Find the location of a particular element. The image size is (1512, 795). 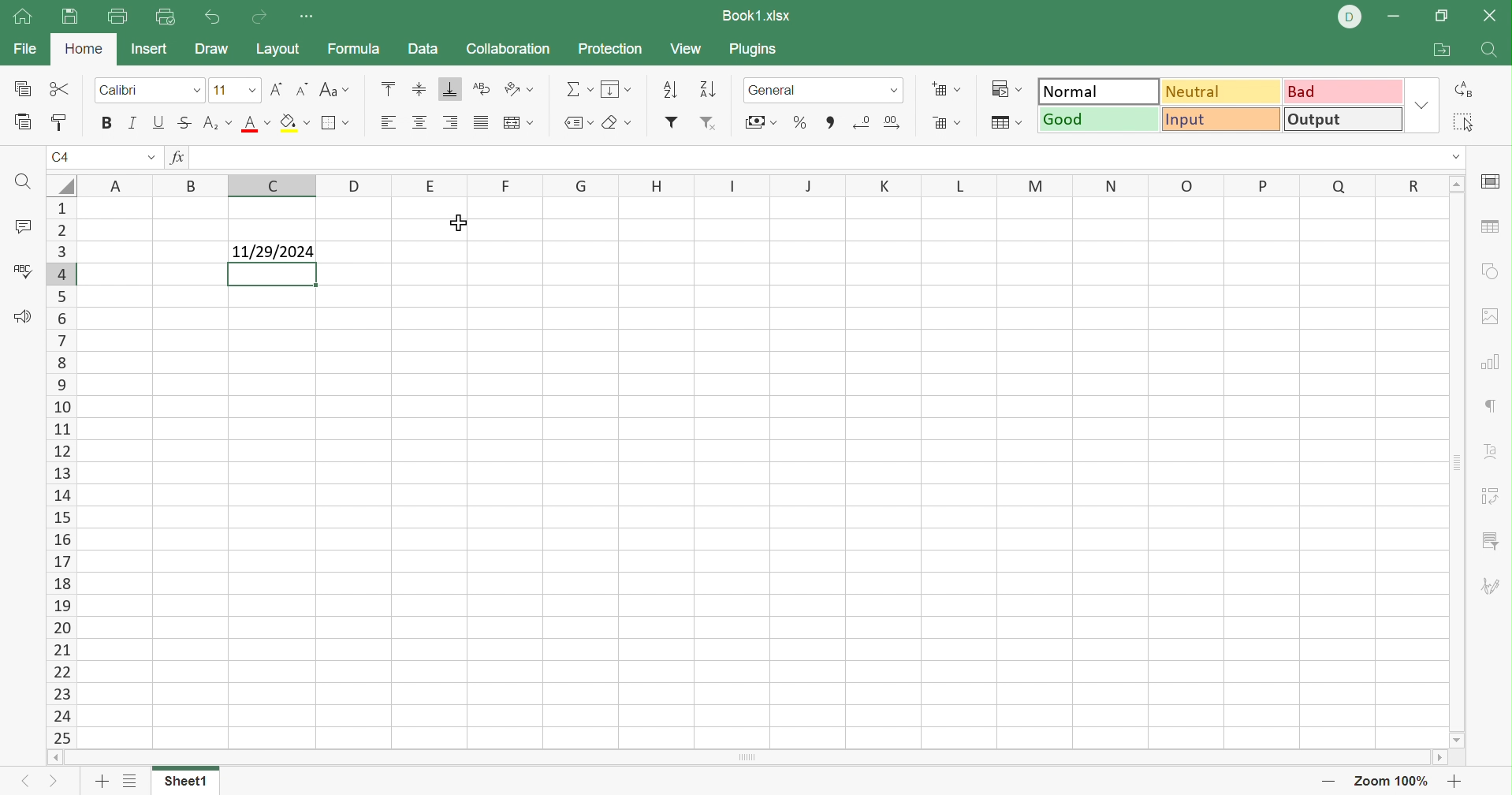

Book1.xlsx is located at coordinates (758, 14).